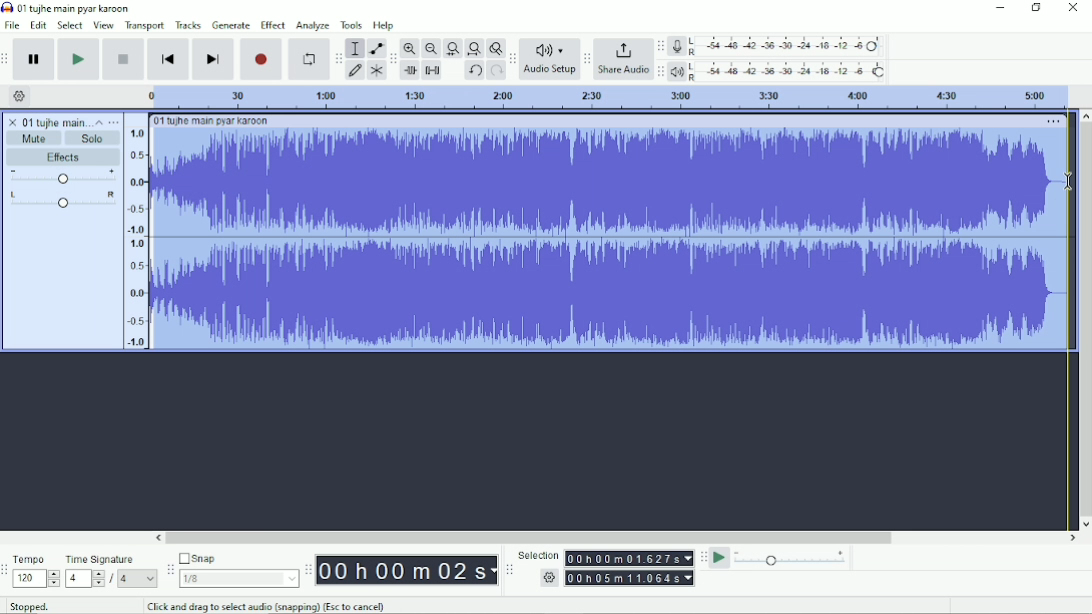  What do you see at coordinates (792, 558) in the screenshot?
I see `Playback speed` at bounding box center [792, 558].